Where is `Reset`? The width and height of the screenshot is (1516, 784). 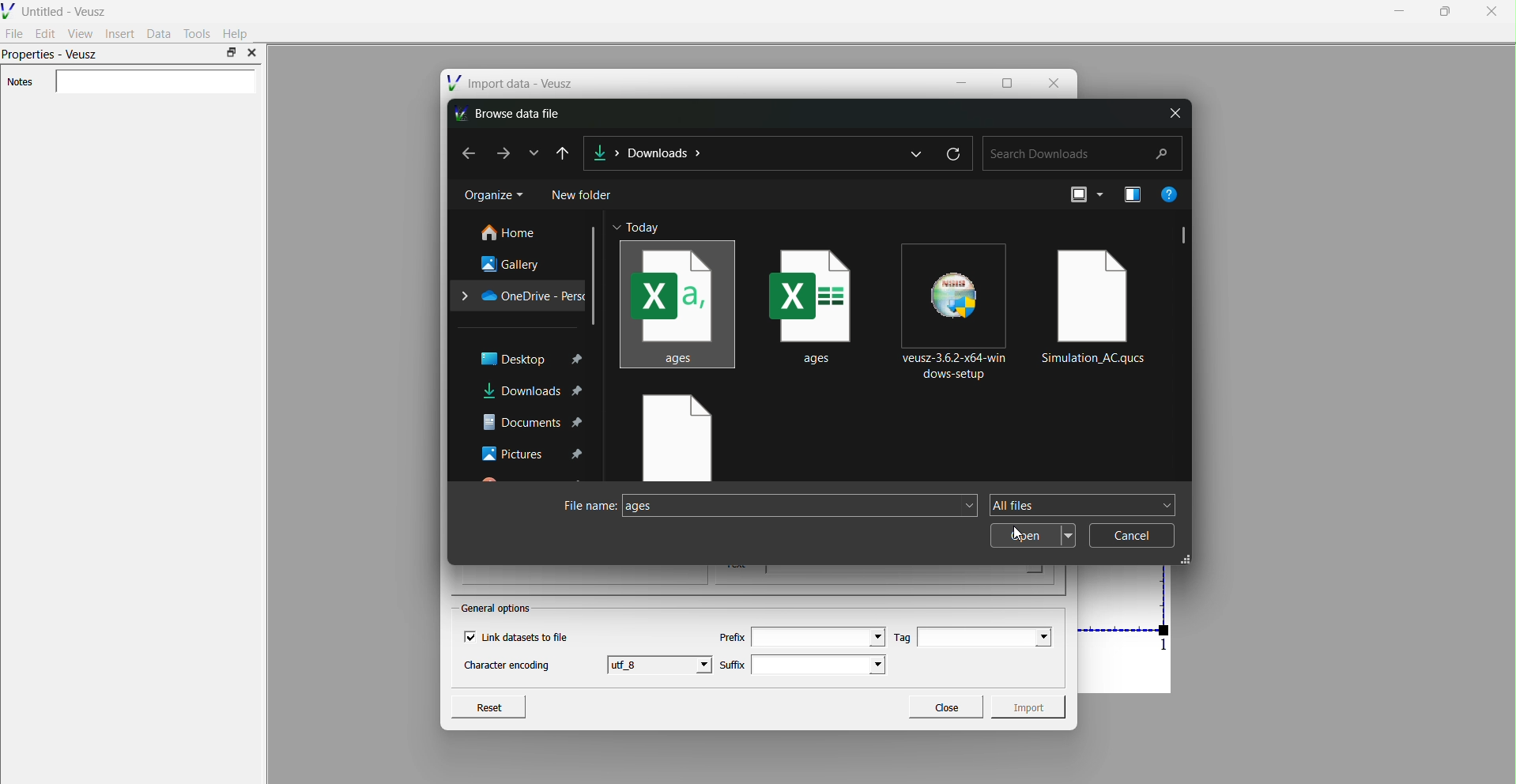 Reset is located at coordinates (488, 705).